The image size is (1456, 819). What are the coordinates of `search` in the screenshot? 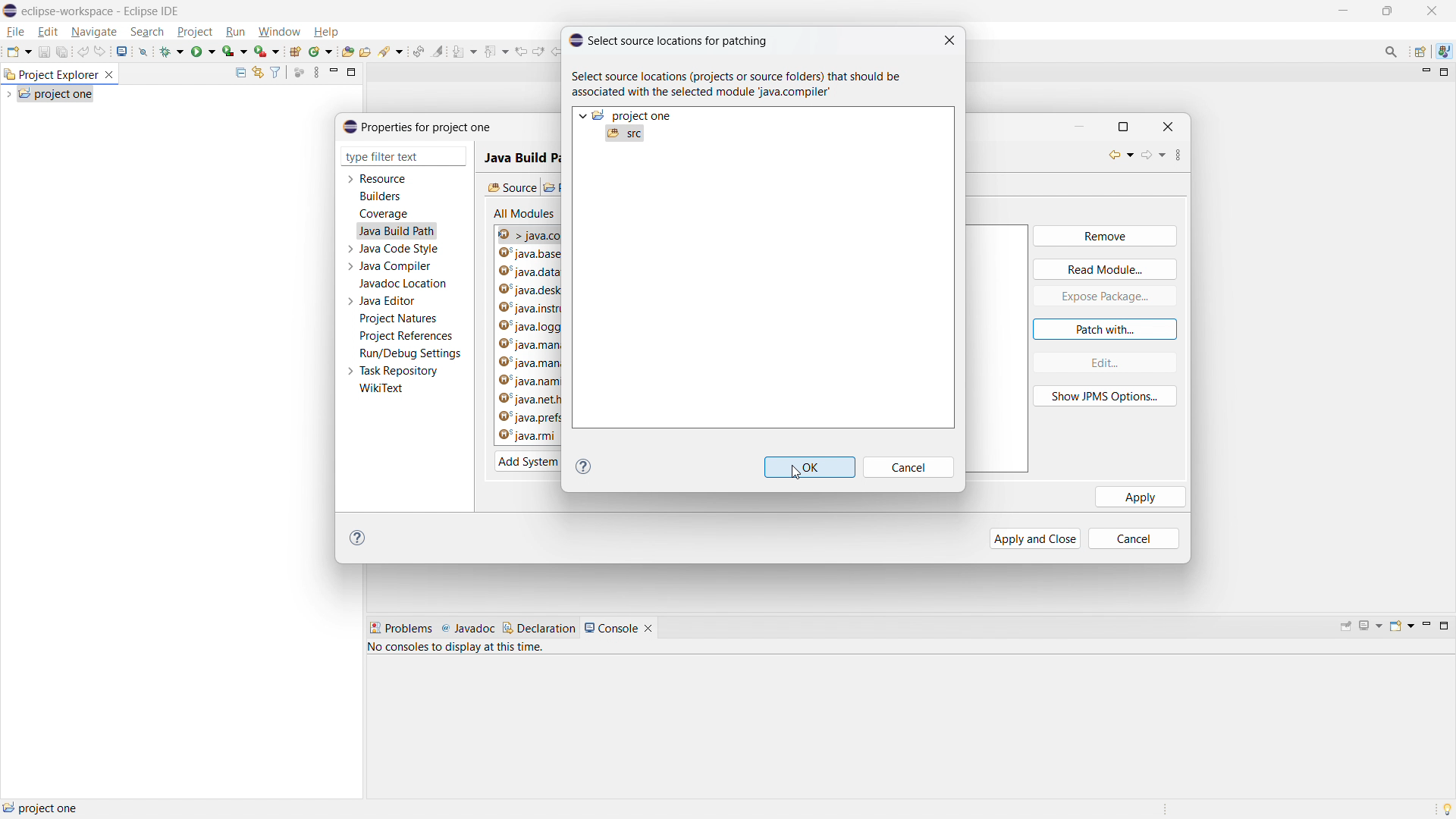 It's located at (391, 52).